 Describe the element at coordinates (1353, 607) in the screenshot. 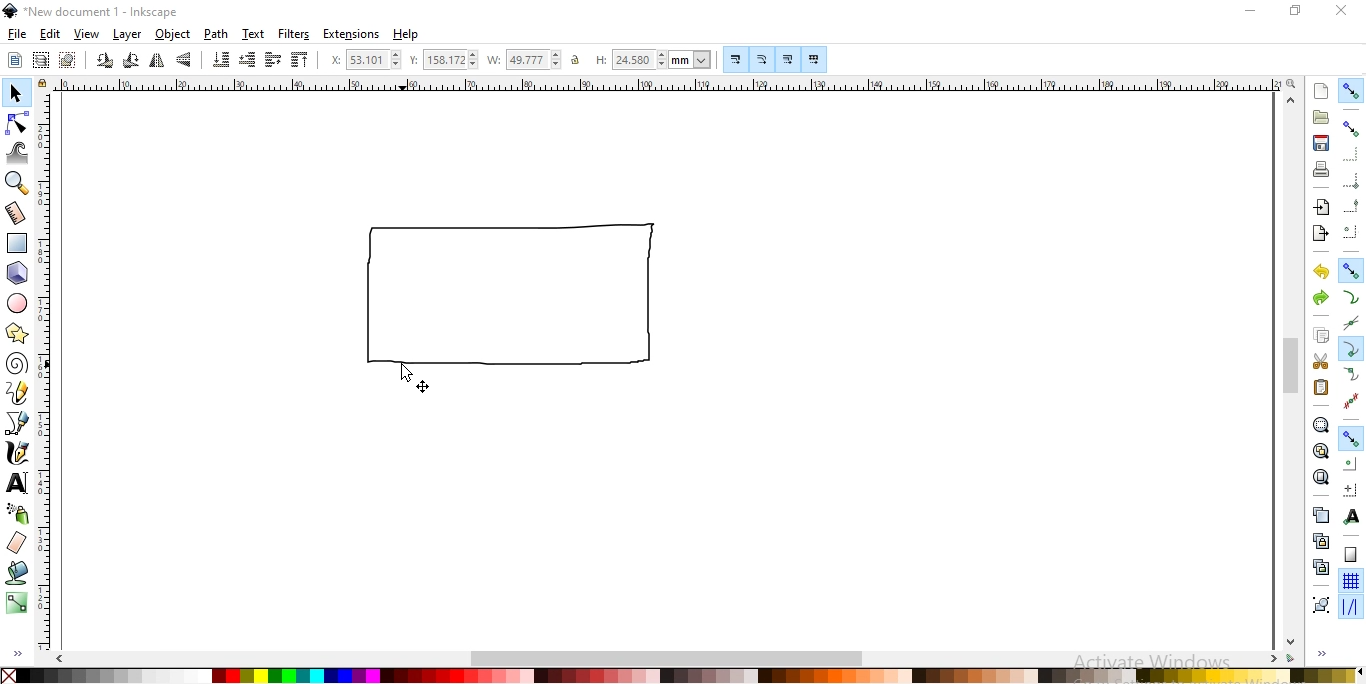

I see `snap guide` at that location.